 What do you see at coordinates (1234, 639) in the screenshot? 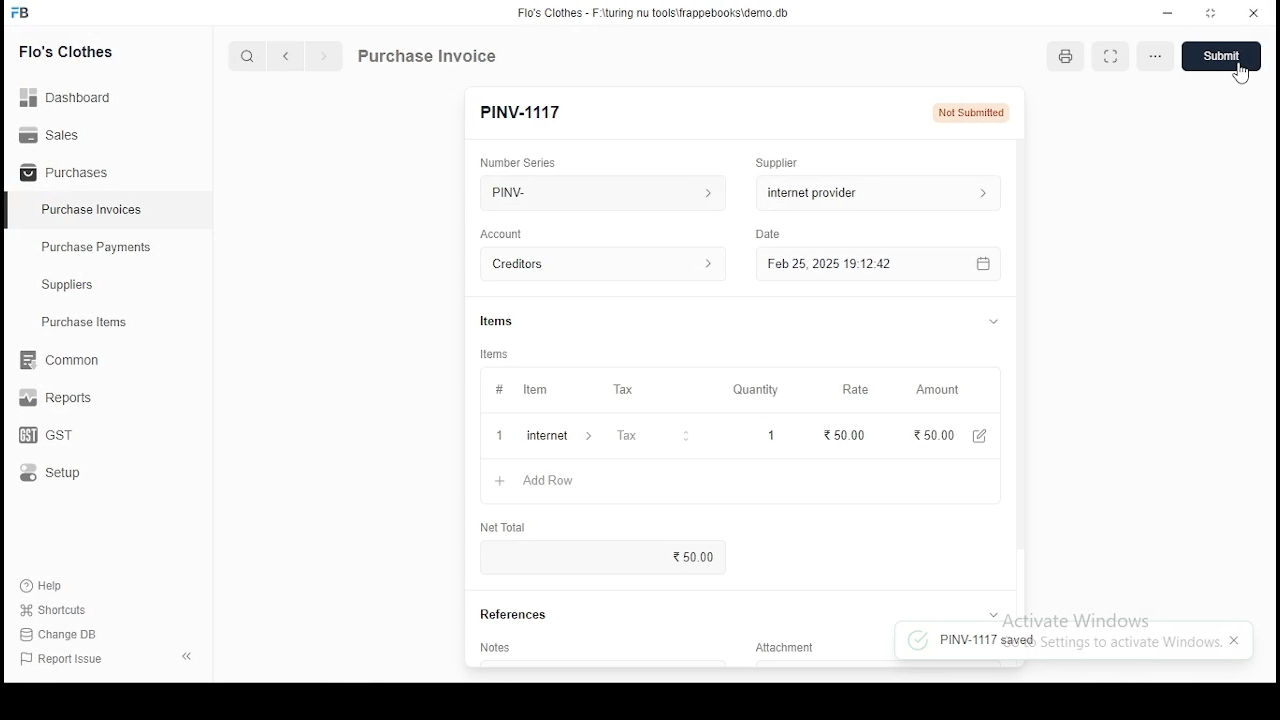
I see `close` at bounding box center [1234, 639].